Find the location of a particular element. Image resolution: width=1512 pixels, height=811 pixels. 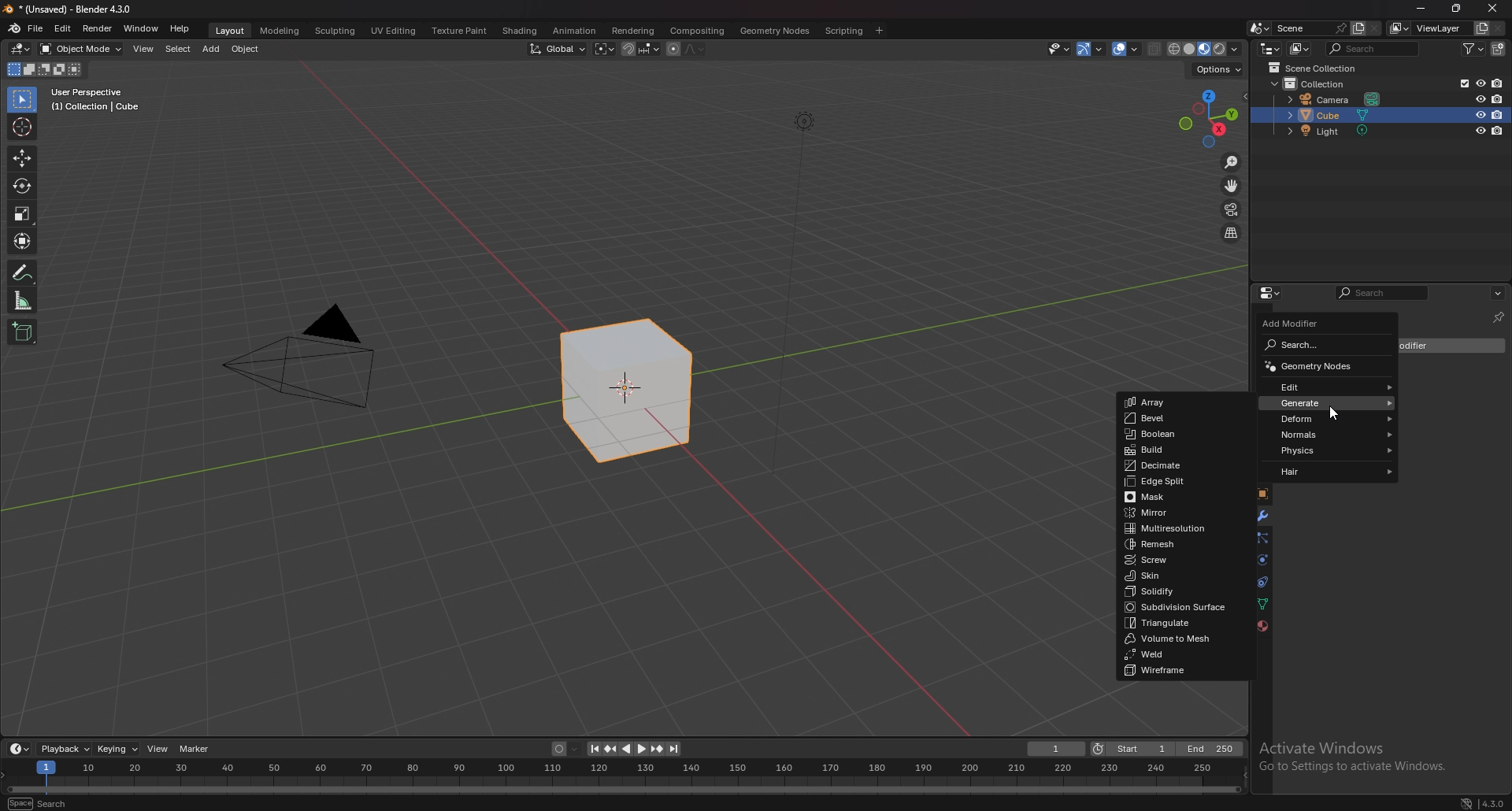

hide in viewport is located at coordinates (1480, 83).